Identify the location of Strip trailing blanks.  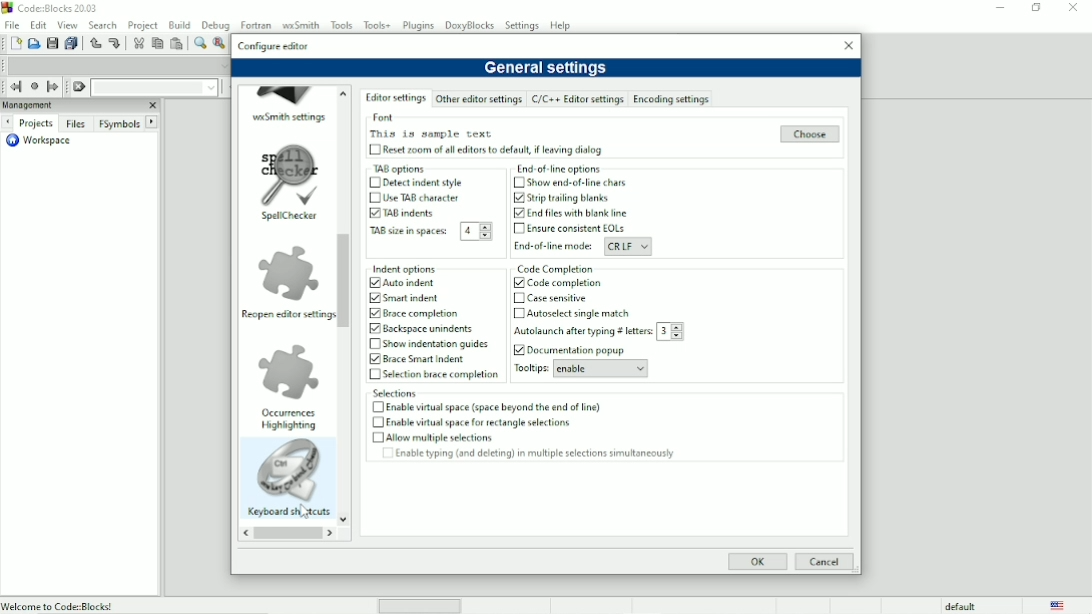
(570, 198).